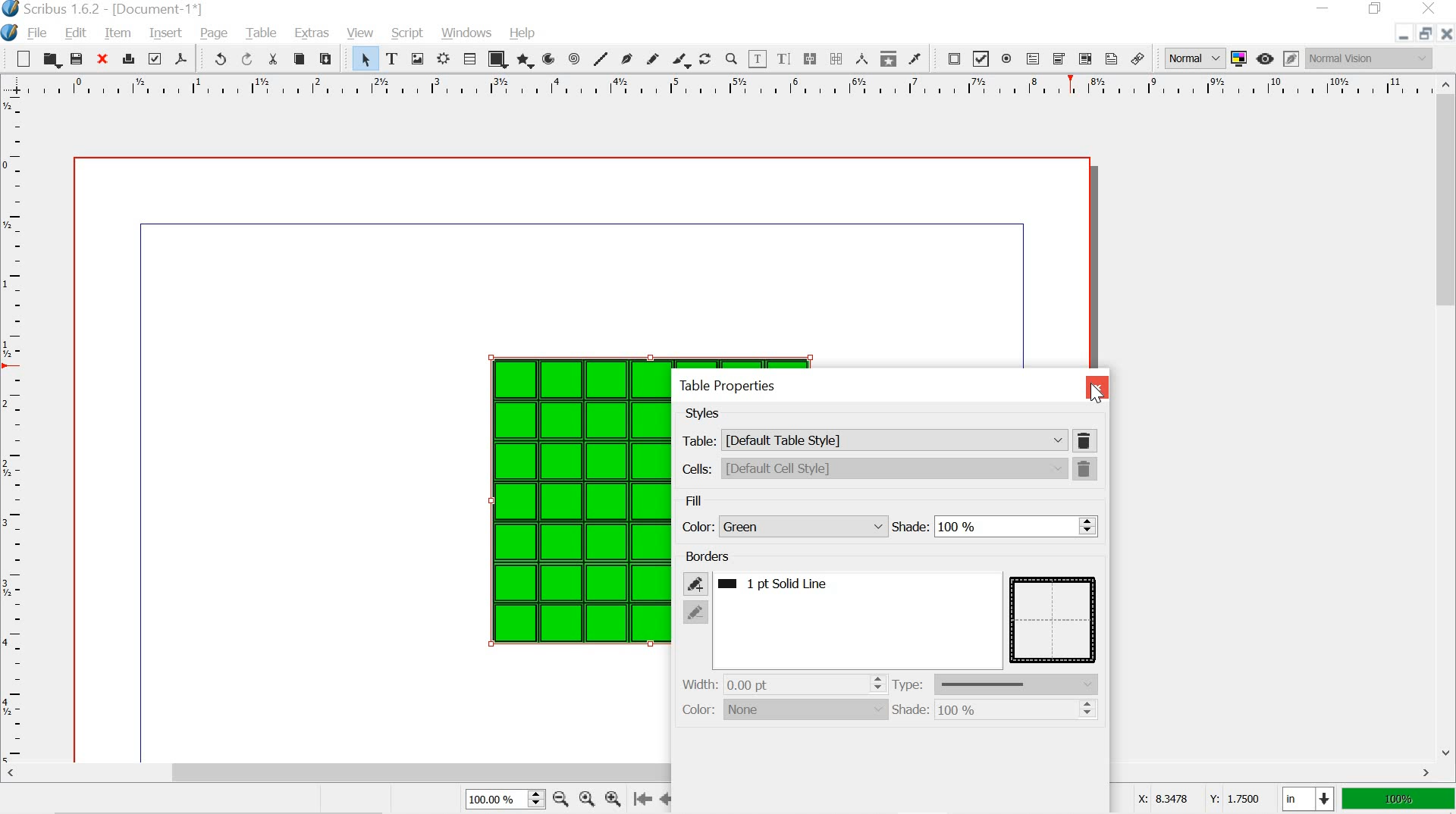  Describe the element at coordinates (524, 58) in the screenshot. I see `polygon` at that location.